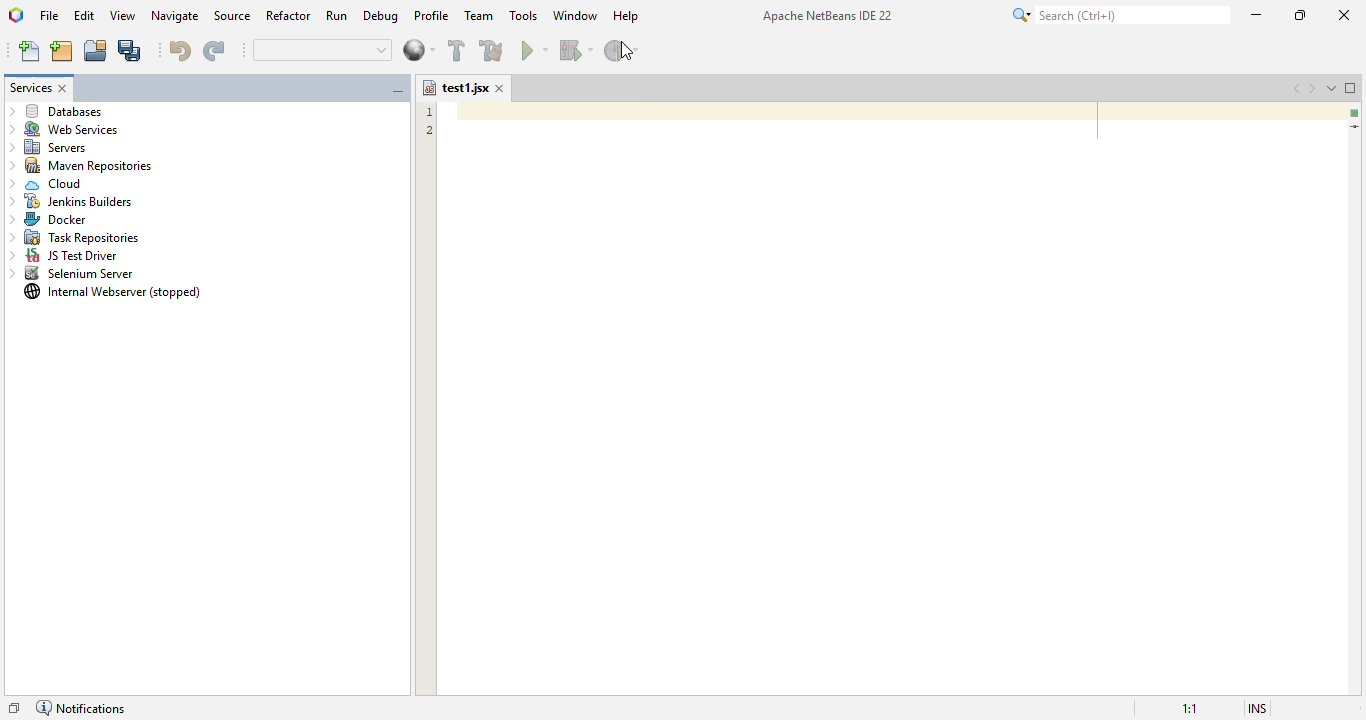  I want to click on refactor, so click(289, 15).